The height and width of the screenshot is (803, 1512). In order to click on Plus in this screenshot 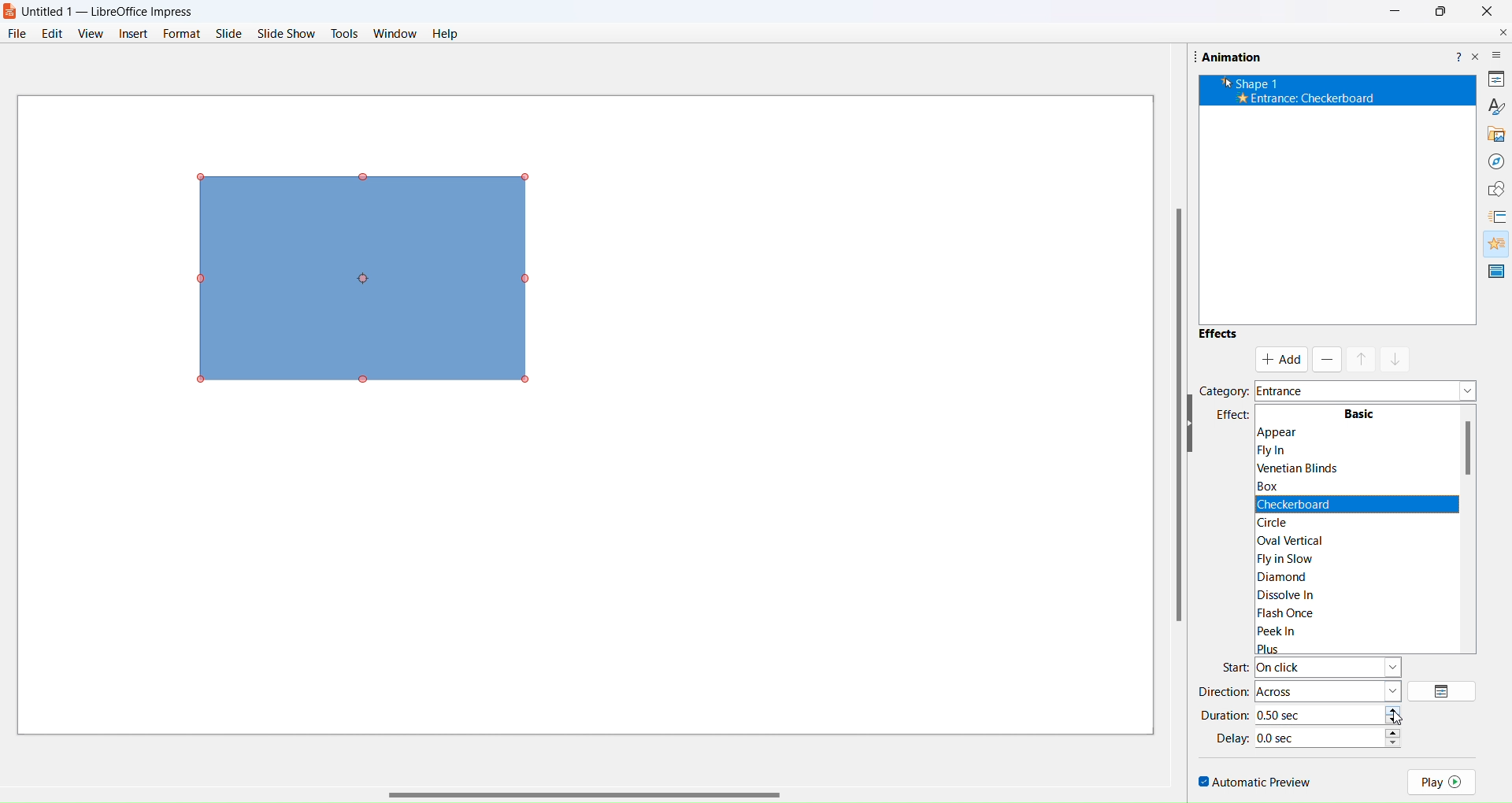, I will do `click(1324, 646)`.